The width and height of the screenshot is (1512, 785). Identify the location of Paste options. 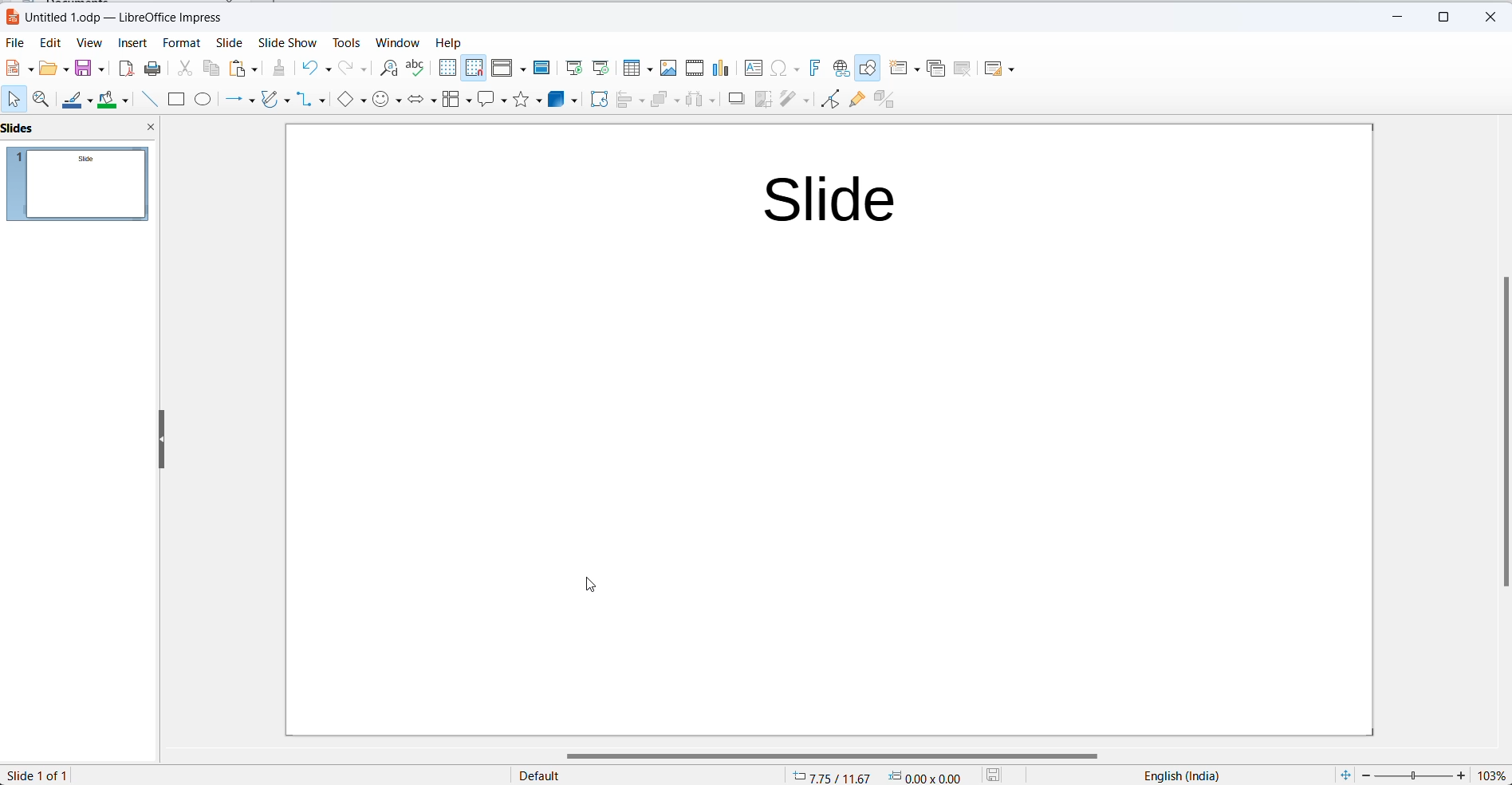
(243, 69).